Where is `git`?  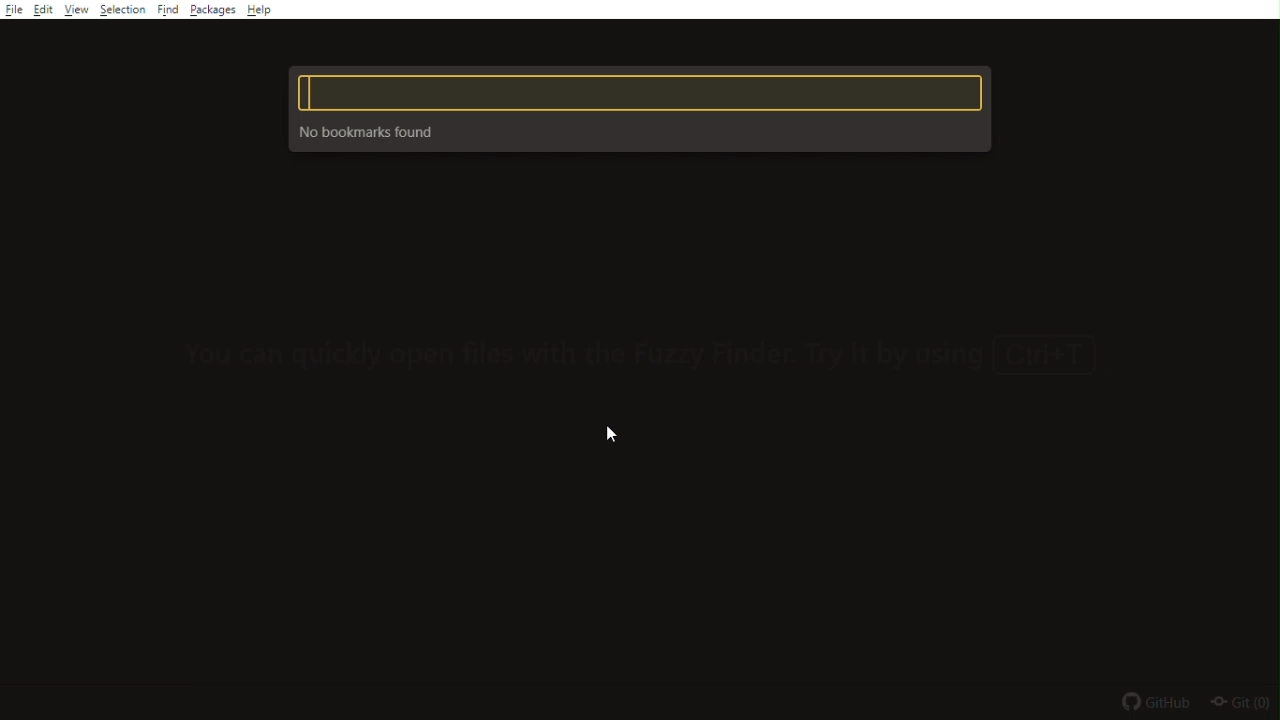 git is located at coordinates (1243, 707).